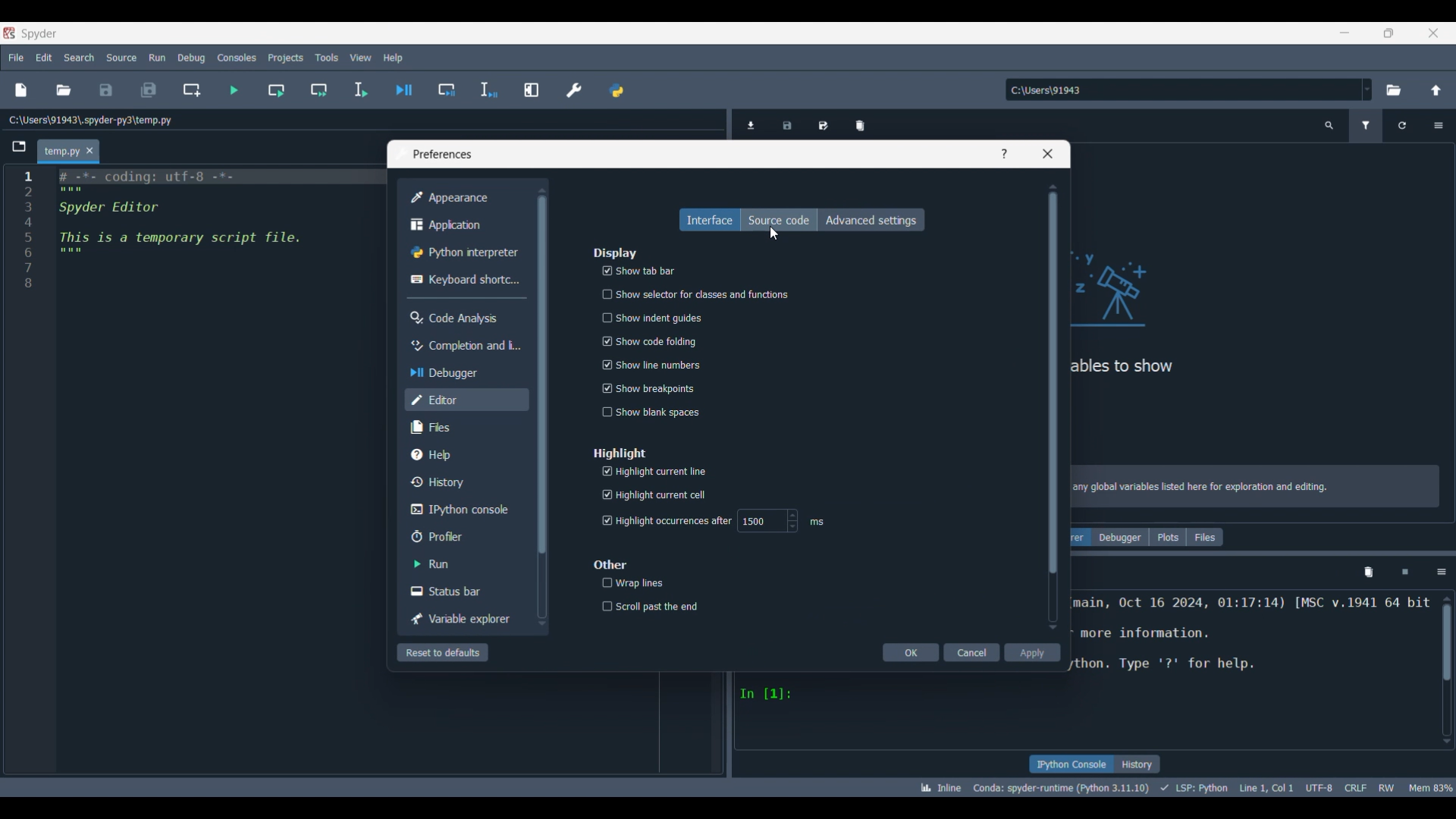  Describe the element at coordinates (464, 591) in the screenshot. I see `Status bar` at that location.